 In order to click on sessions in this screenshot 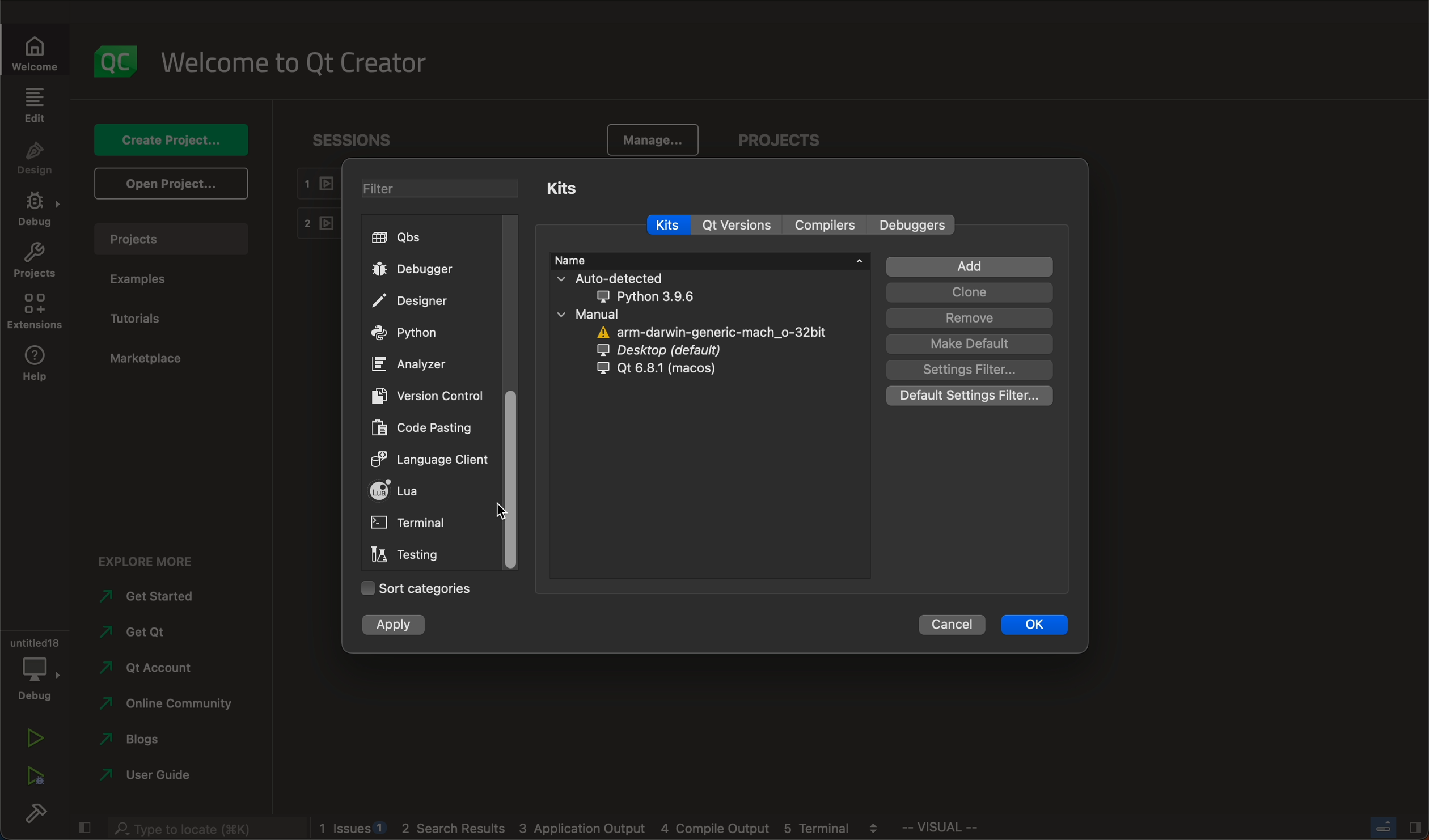, I will do `click(346, 137)`.